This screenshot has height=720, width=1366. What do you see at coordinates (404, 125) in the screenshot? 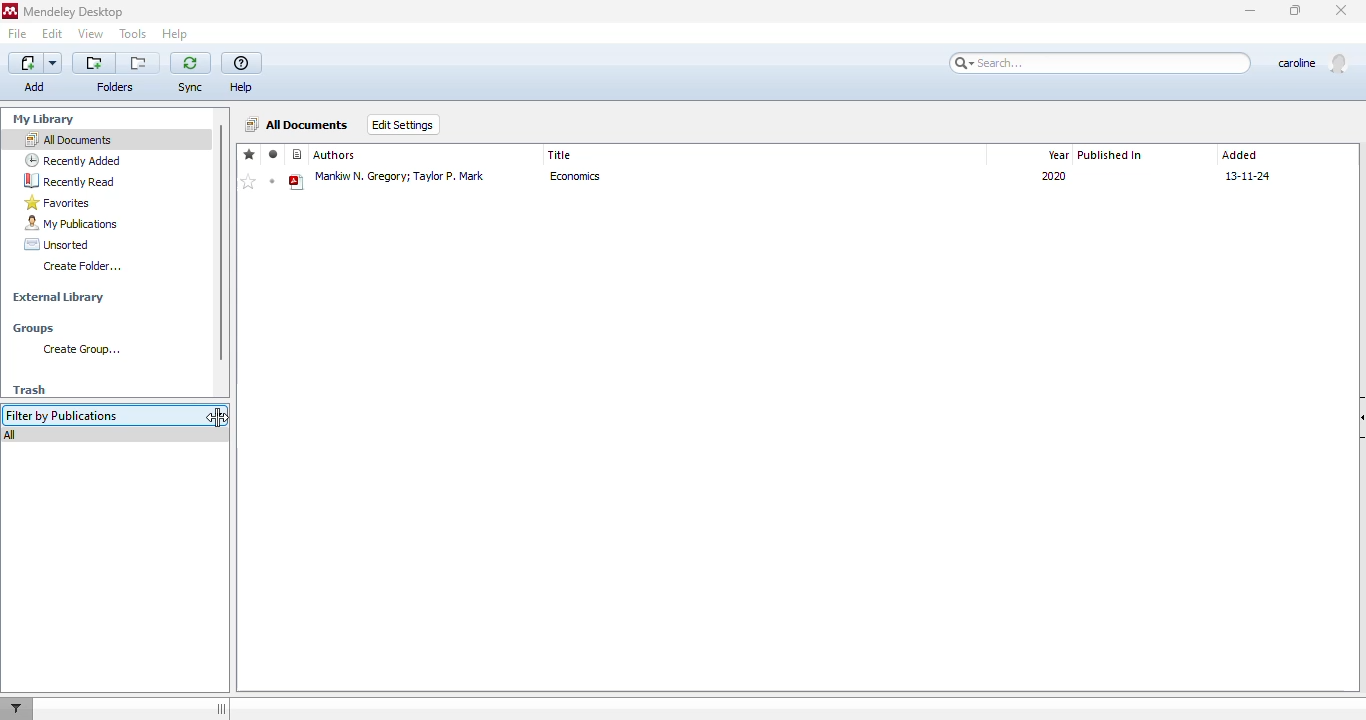
I see `edit settings` at bounding box center [404, 125].